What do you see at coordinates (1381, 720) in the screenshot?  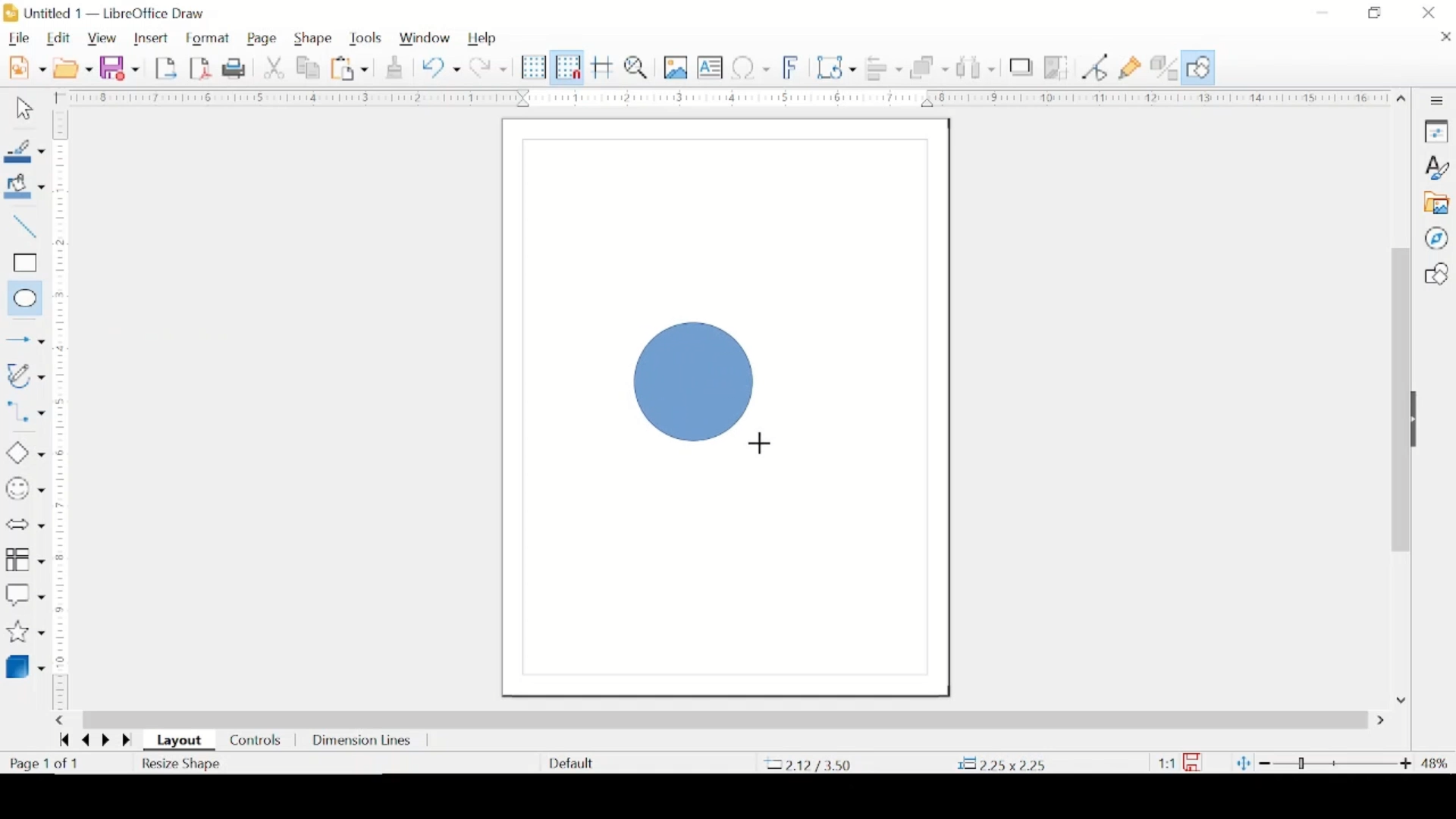 I see `scroll right arrow` at bounding box center [1381, 720].